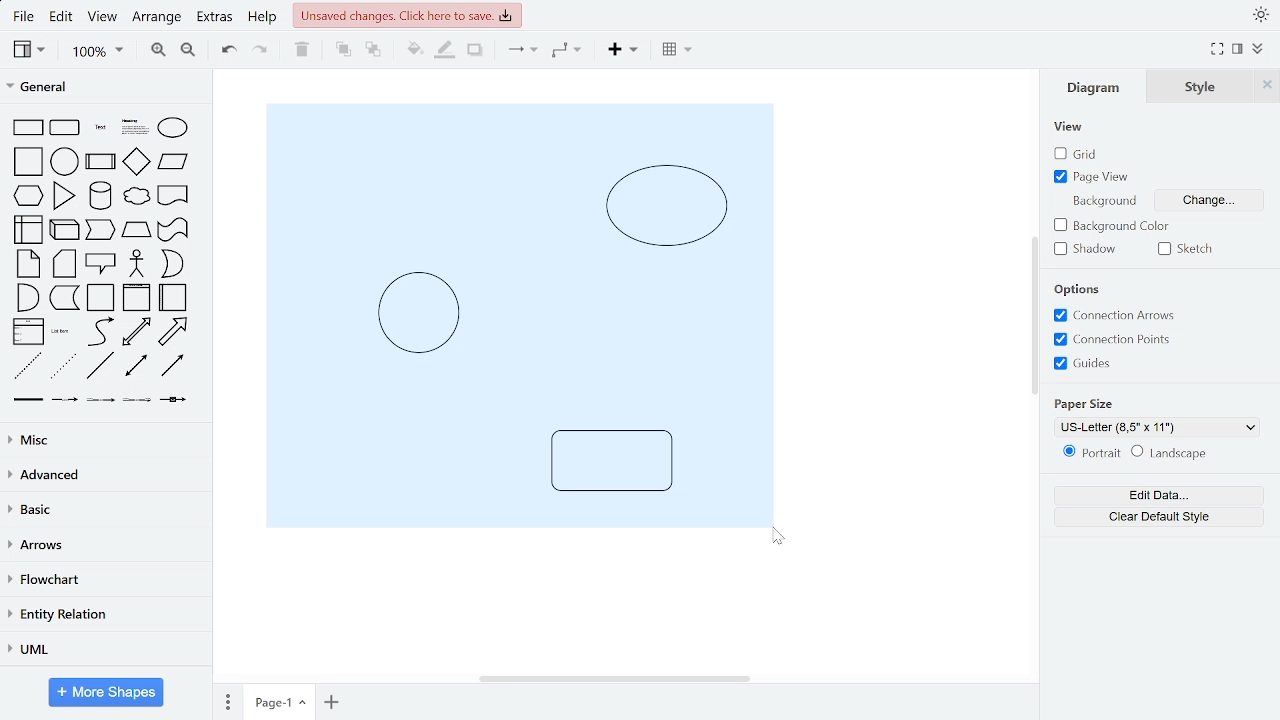 The image size is (1280, 720). I want to click on line, so click(101, 366).